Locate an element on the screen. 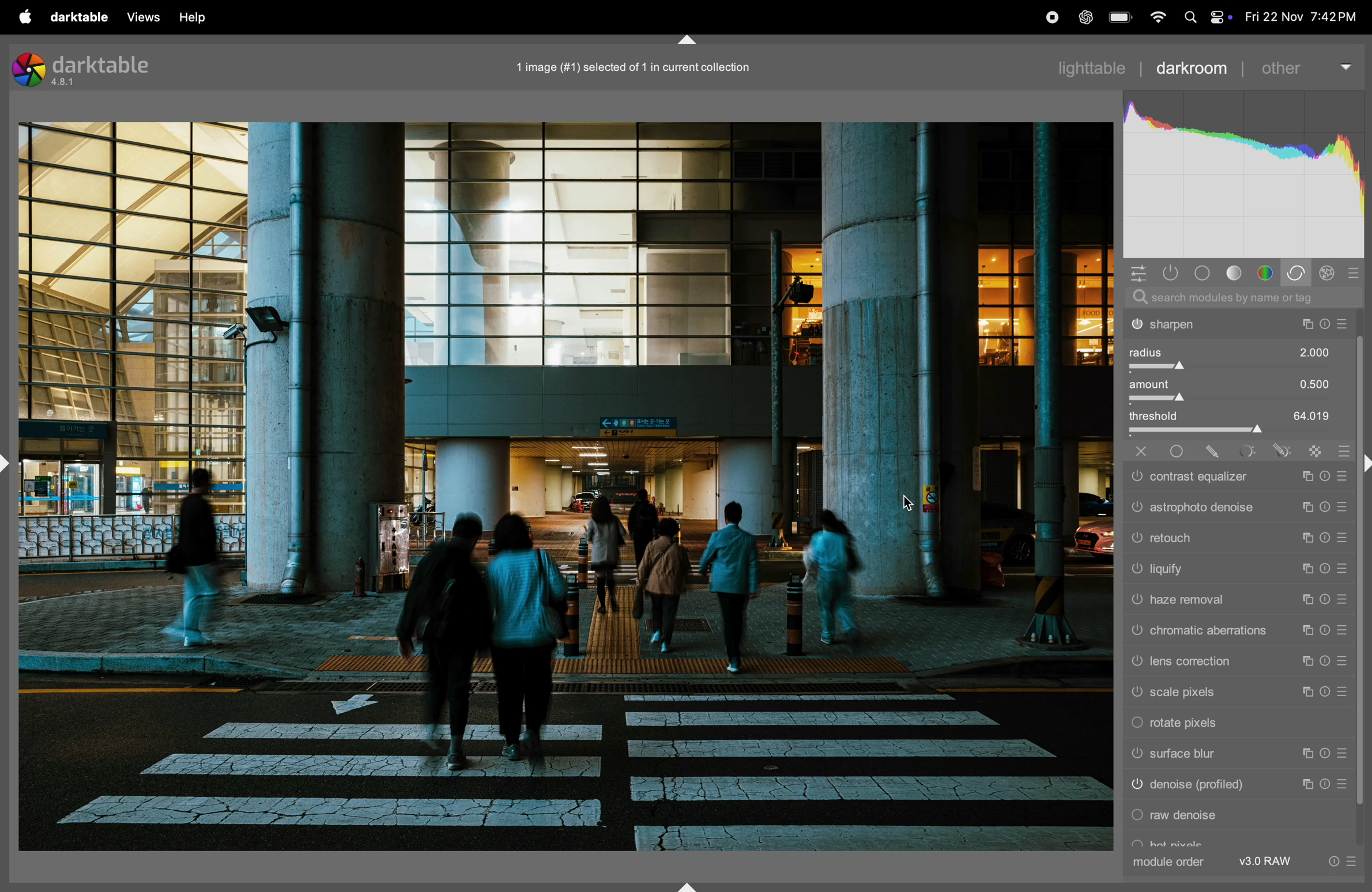 Image resolution: width=1372 pixels, height=892 pixels. date and time is located at coordinates (1302, 14).